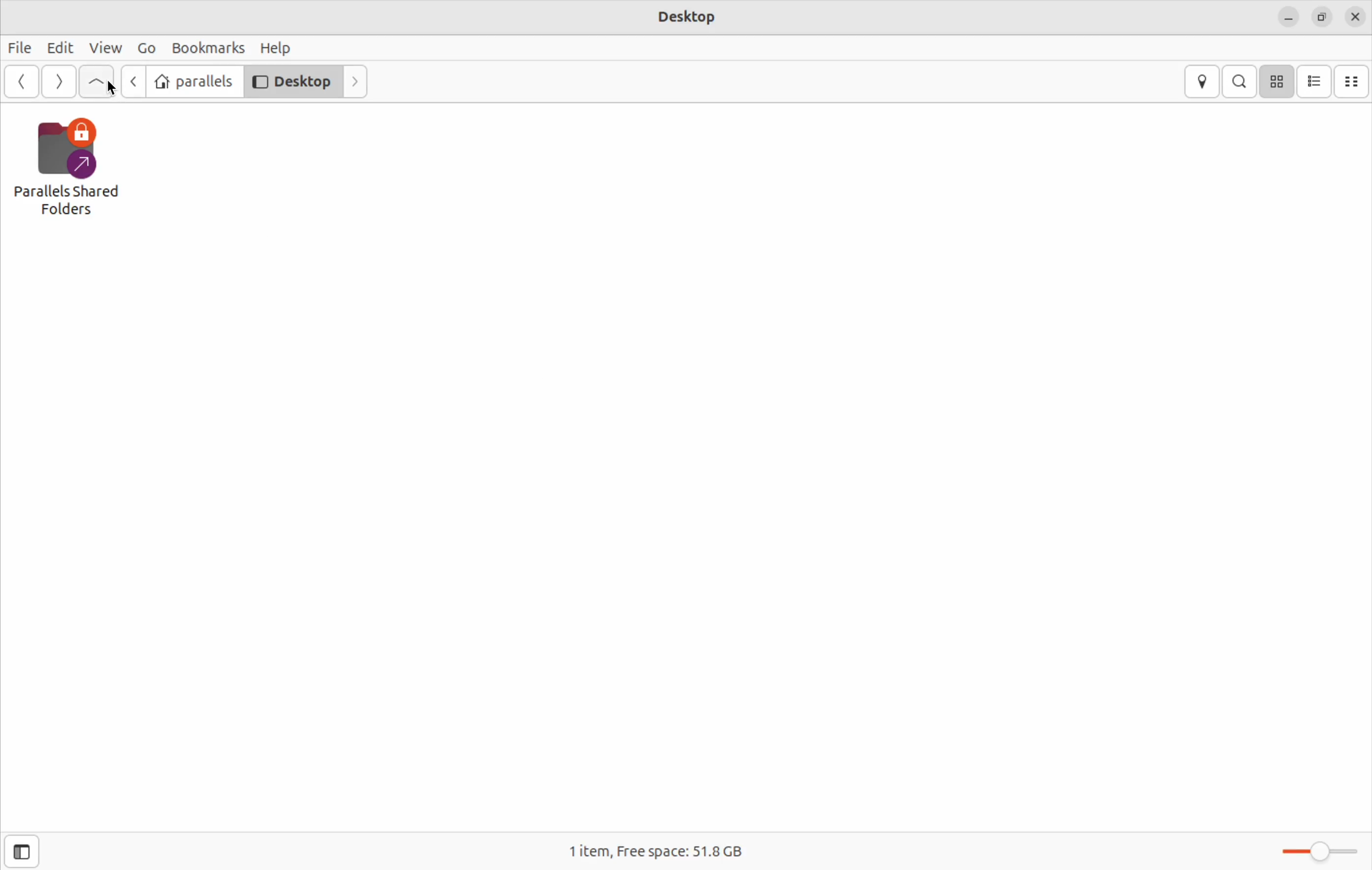 This screenshot has width=1372, height=870. What do you see at coordinates (655, 850) in the screenshot?
I see `1 items free space 51.8 Gb` at bounding box center [655, 850].